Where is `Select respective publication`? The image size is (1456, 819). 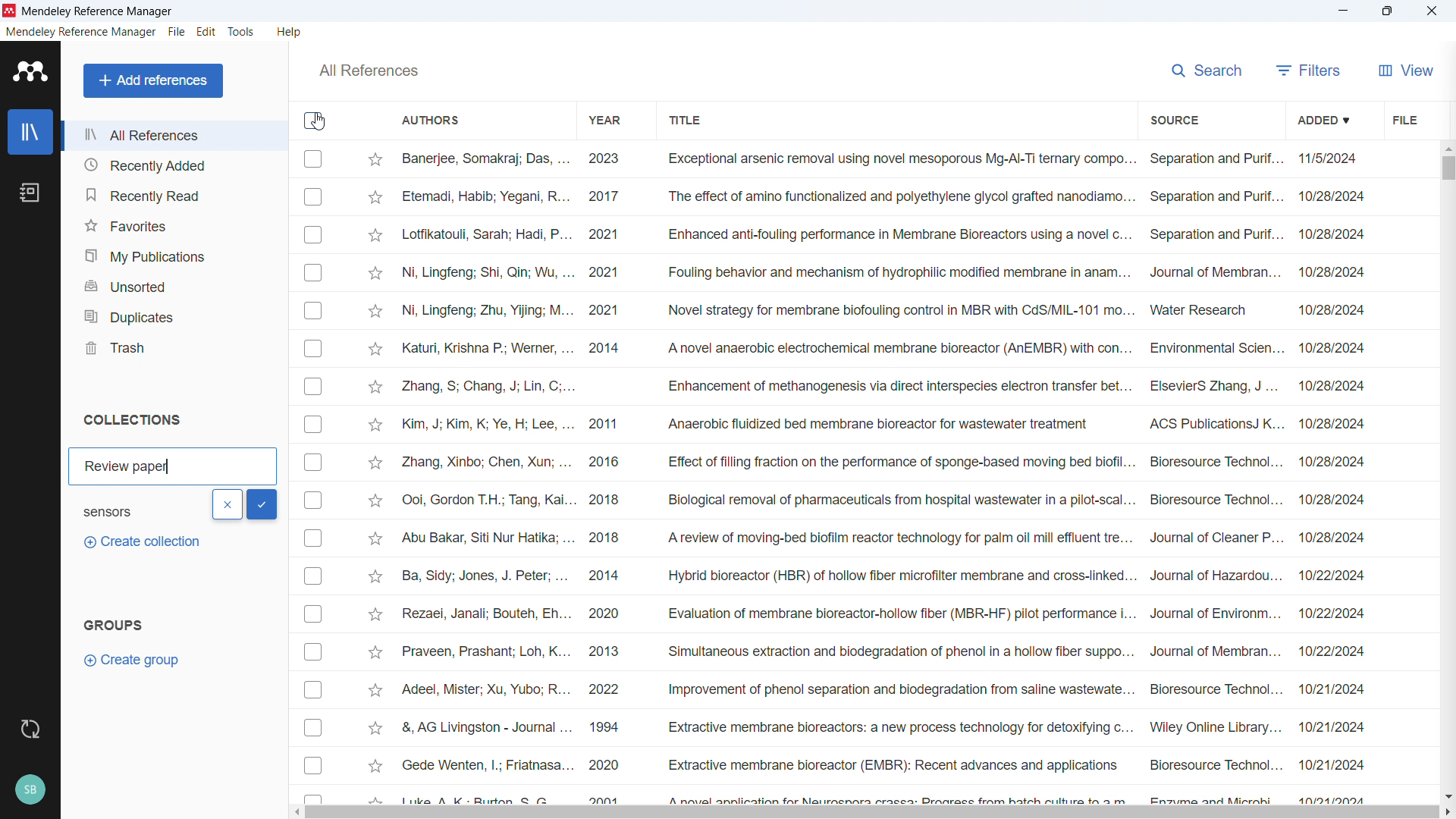 Select respective publication is located at coordinates (312, 727).